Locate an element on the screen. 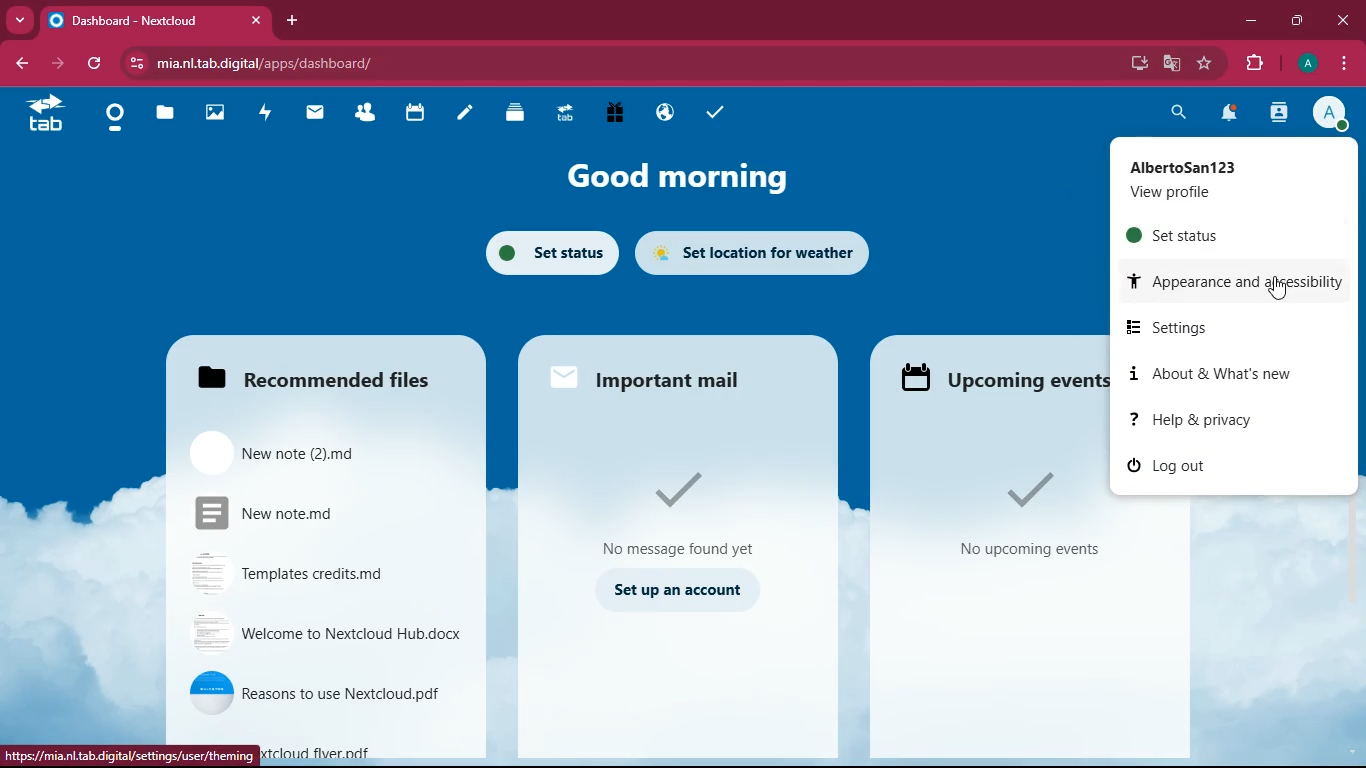 The image size is (1366, 768). back is located at coordinates (16, 63).